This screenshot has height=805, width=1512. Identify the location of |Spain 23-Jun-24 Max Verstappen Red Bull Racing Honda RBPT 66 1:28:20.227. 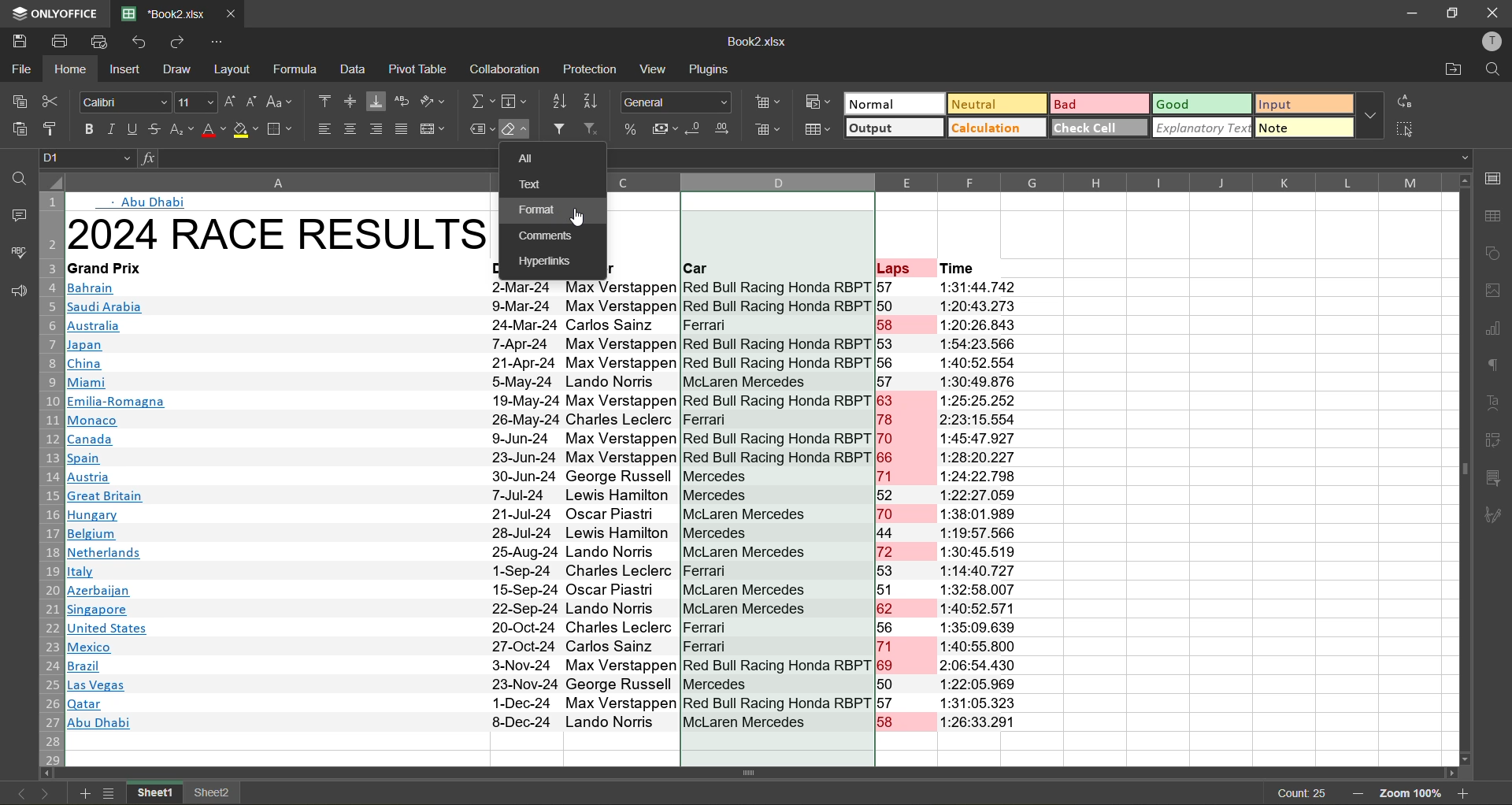
(543, 458).